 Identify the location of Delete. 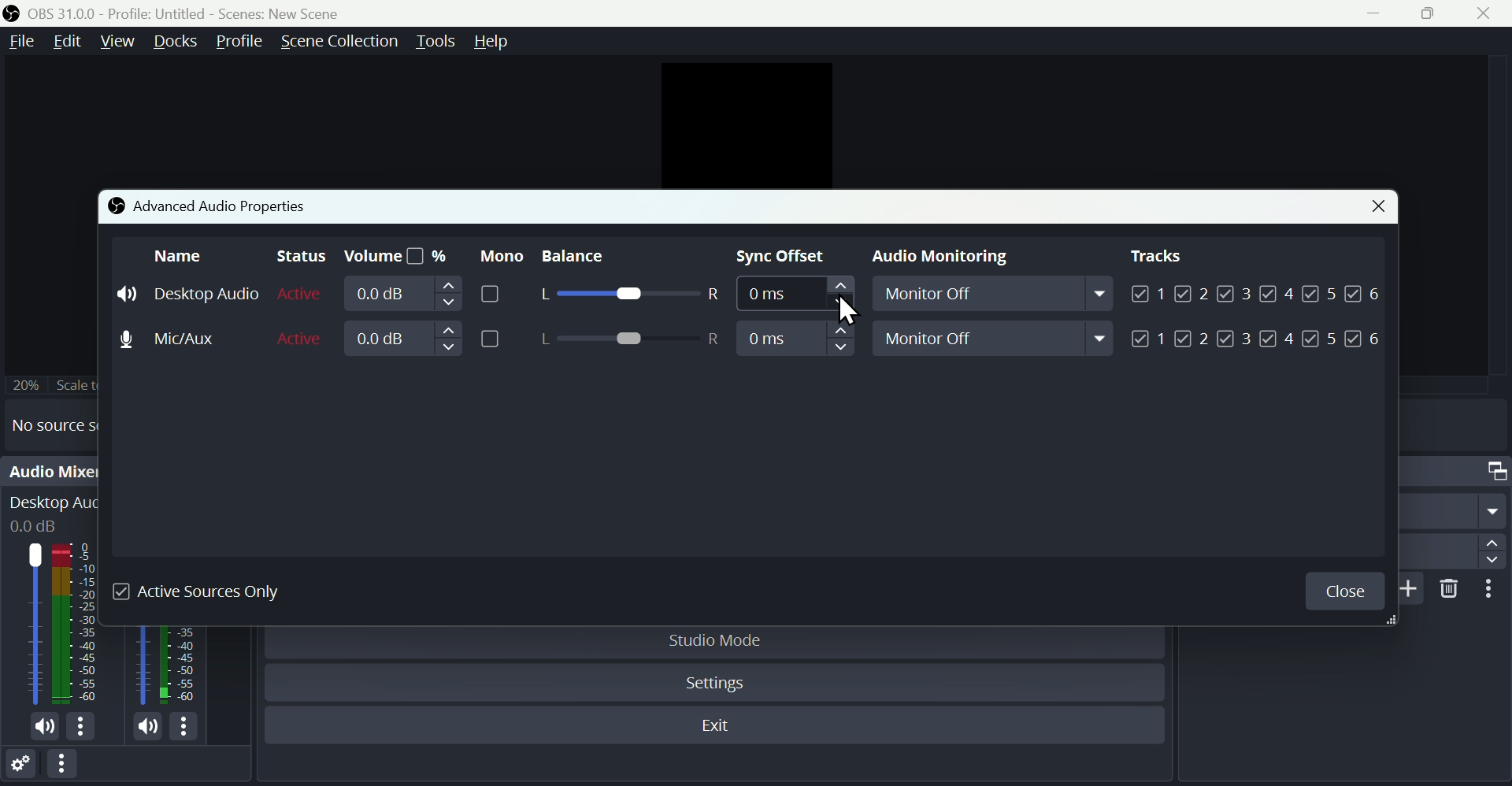
(1451, 588).